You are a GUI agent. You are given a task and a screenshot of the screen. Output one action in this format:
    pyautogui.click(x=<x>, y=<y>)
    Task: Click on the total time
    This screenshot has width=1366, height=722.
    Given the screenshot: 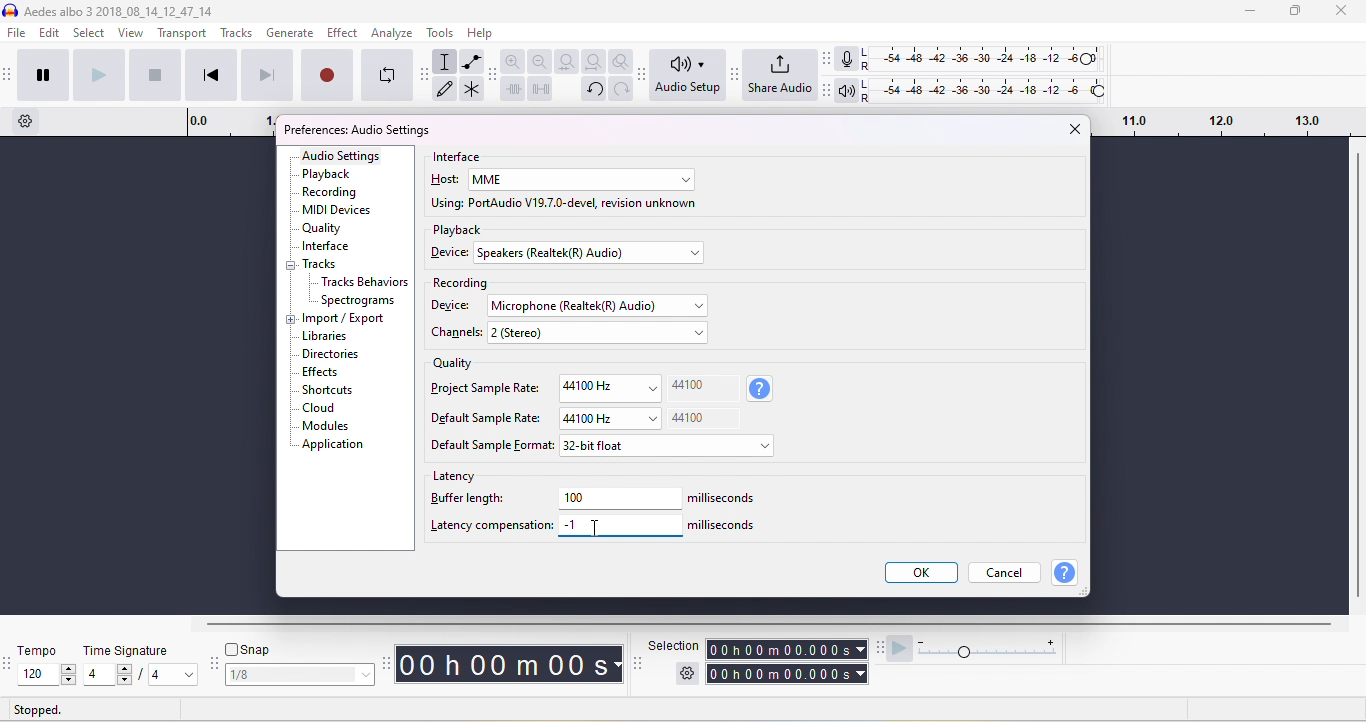 What is the action you would take?
    pyautogui.click(x=779, y=674)
    